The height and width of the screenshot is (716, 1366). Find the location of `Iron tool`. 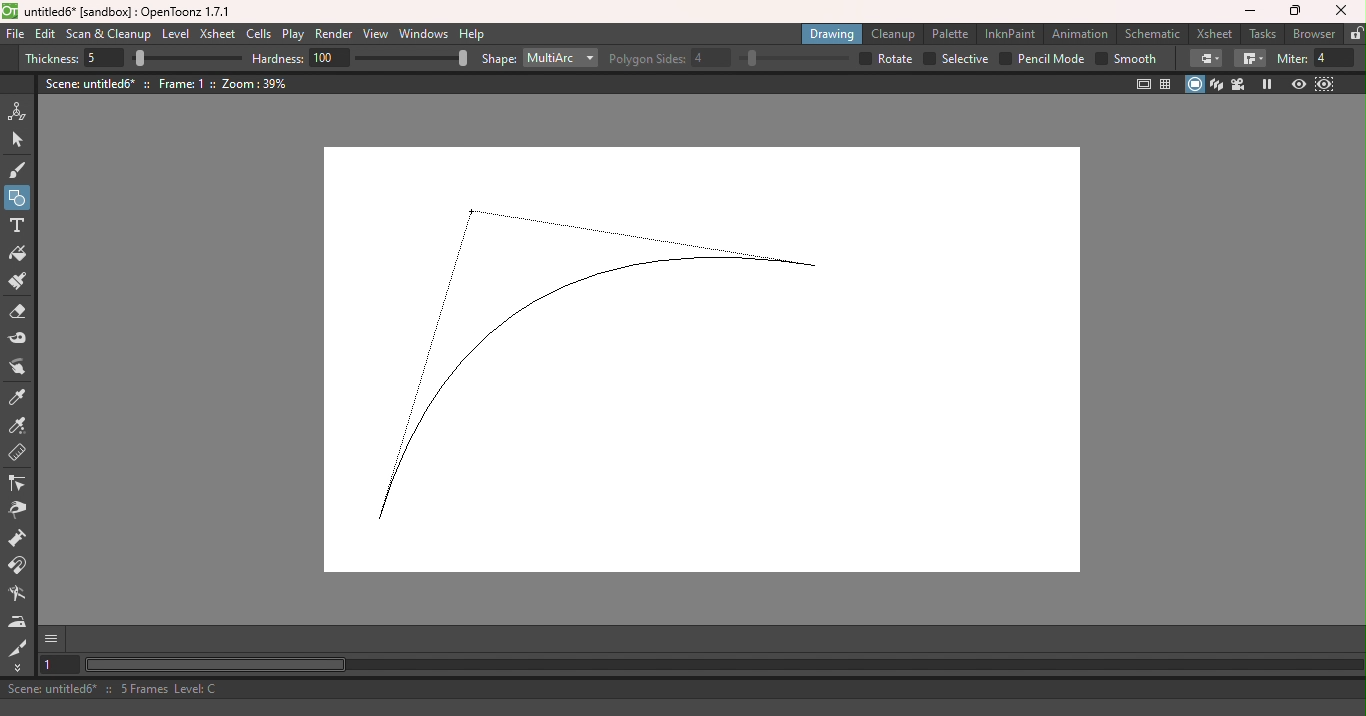

Iron tool is located at coordinates (18, 623).